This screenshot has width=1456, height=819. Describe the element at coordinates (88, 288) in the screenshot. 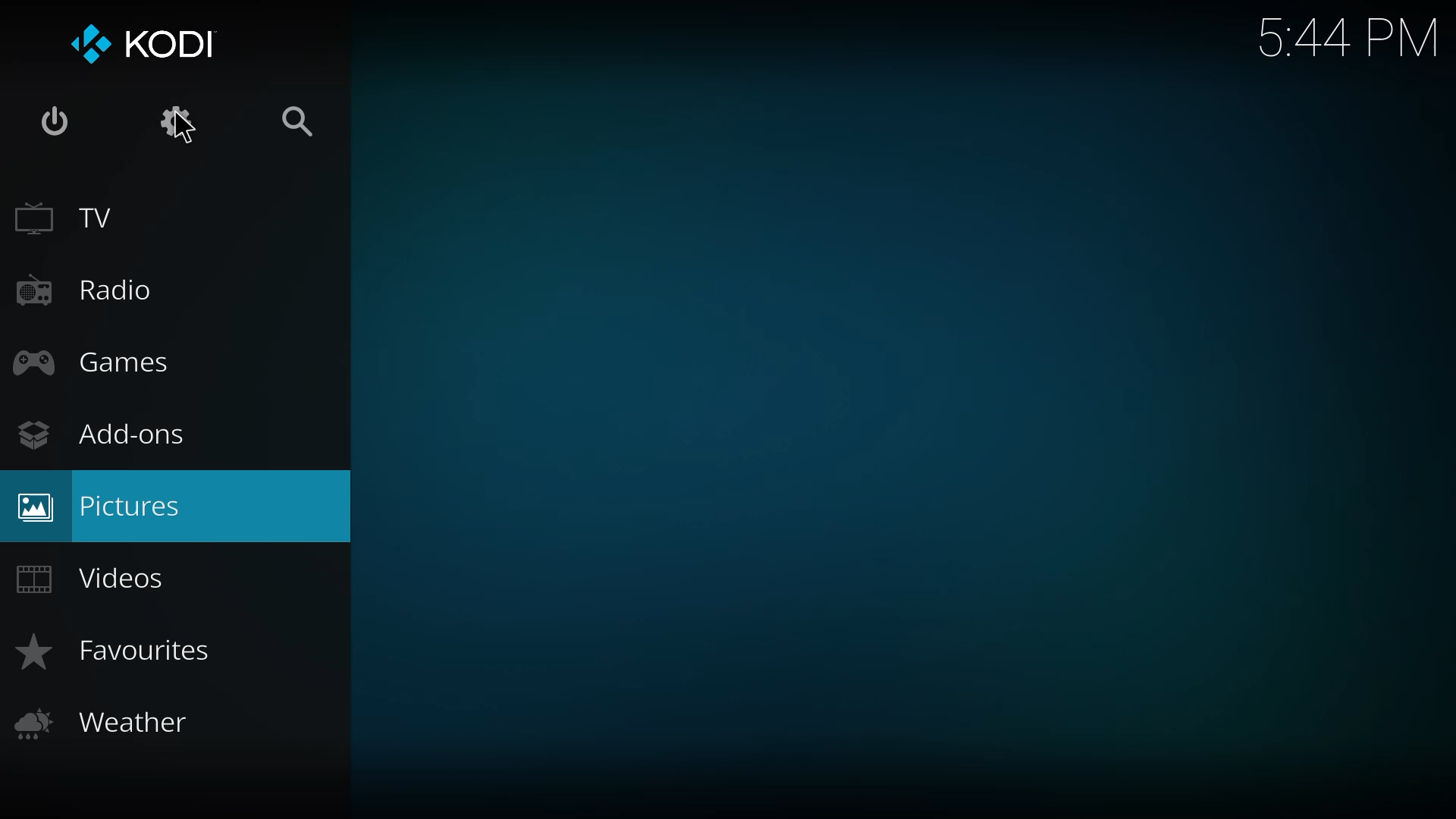

I see `radio` at that location.